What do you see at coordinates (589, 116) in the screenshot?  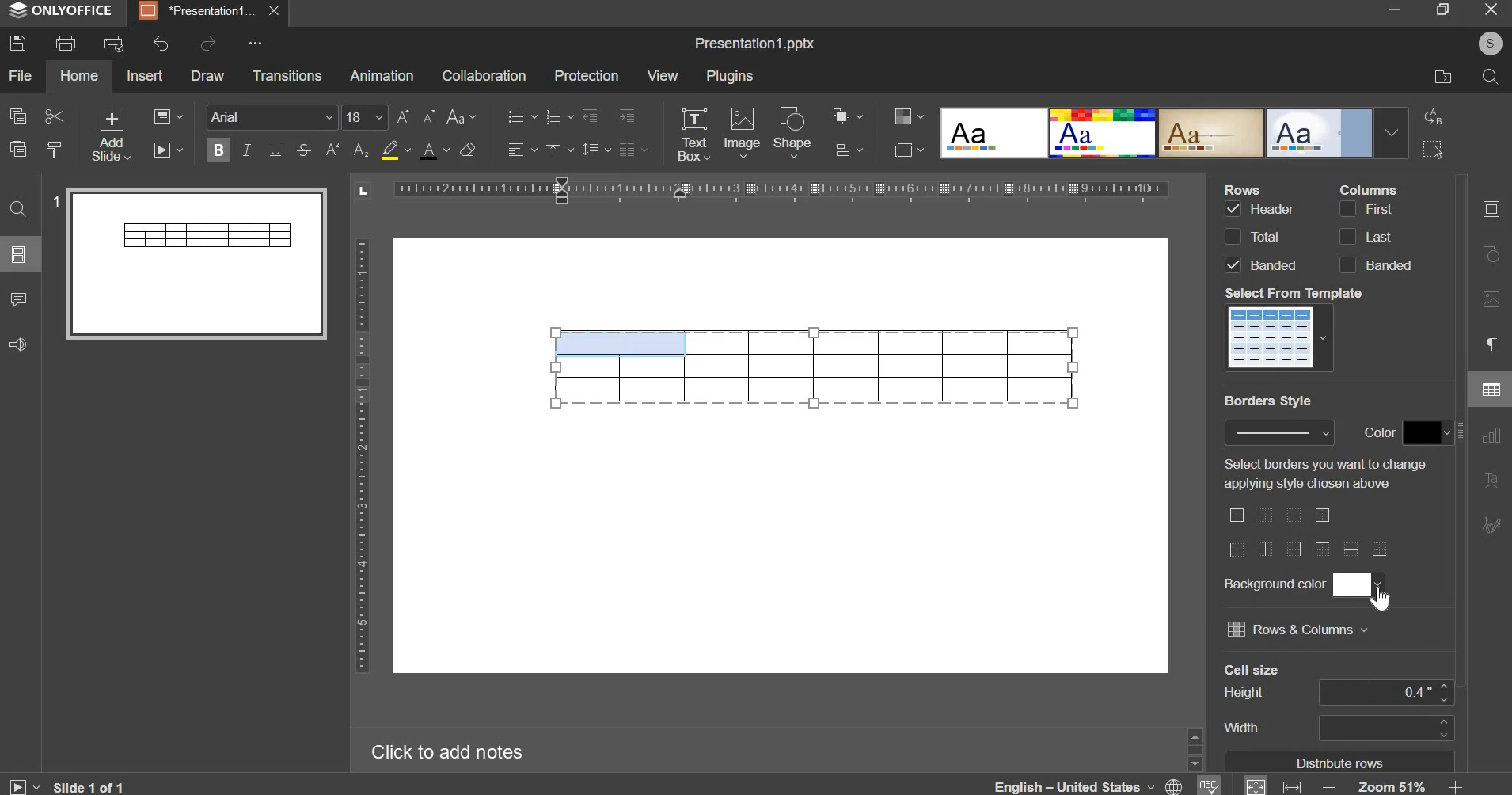 I see `decrease indent` at bounding box center [589, 116].